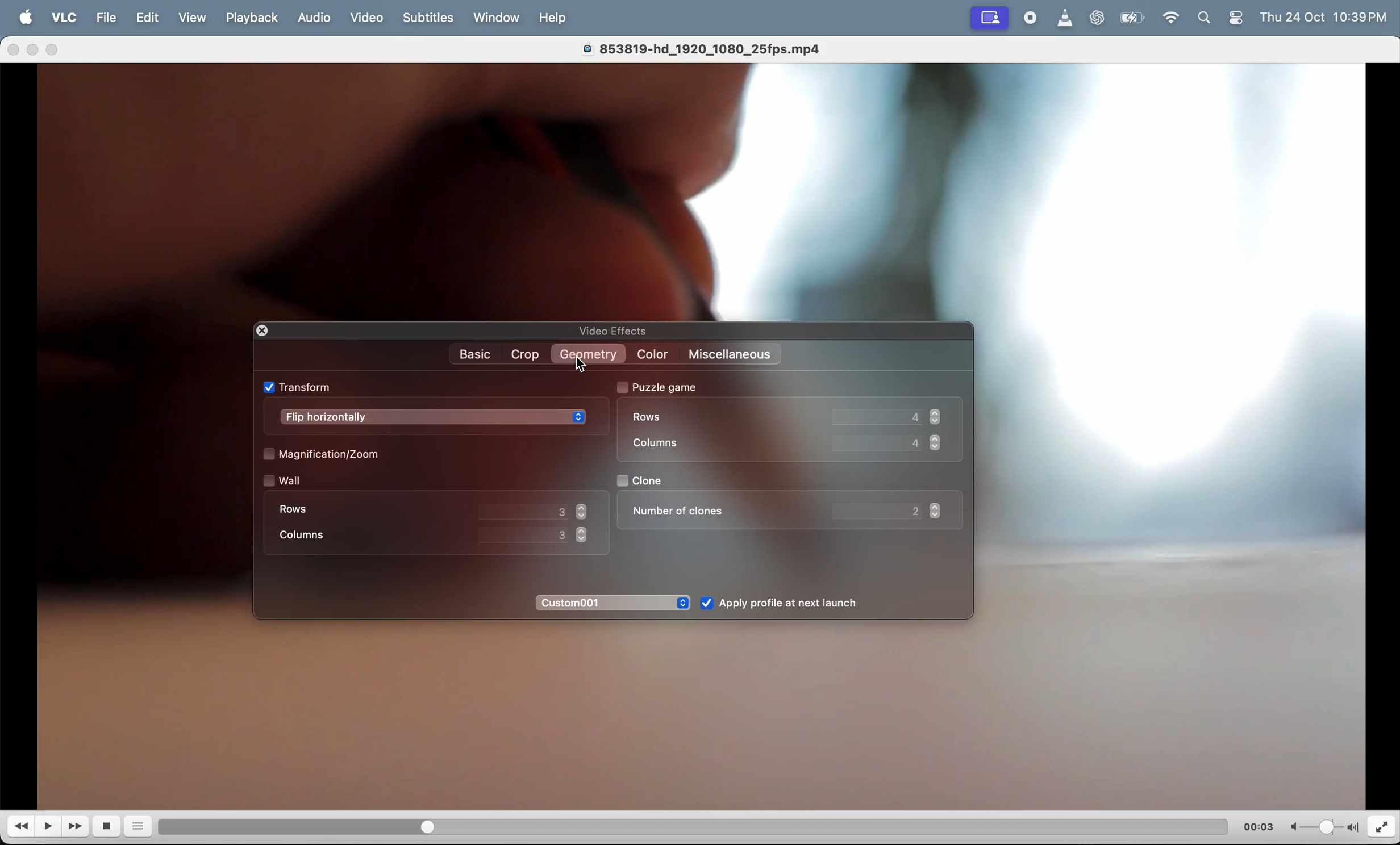  What do you see at coordinates (295, 511) in the screenshot?
I see `rows` at bounding box center [295, 511].